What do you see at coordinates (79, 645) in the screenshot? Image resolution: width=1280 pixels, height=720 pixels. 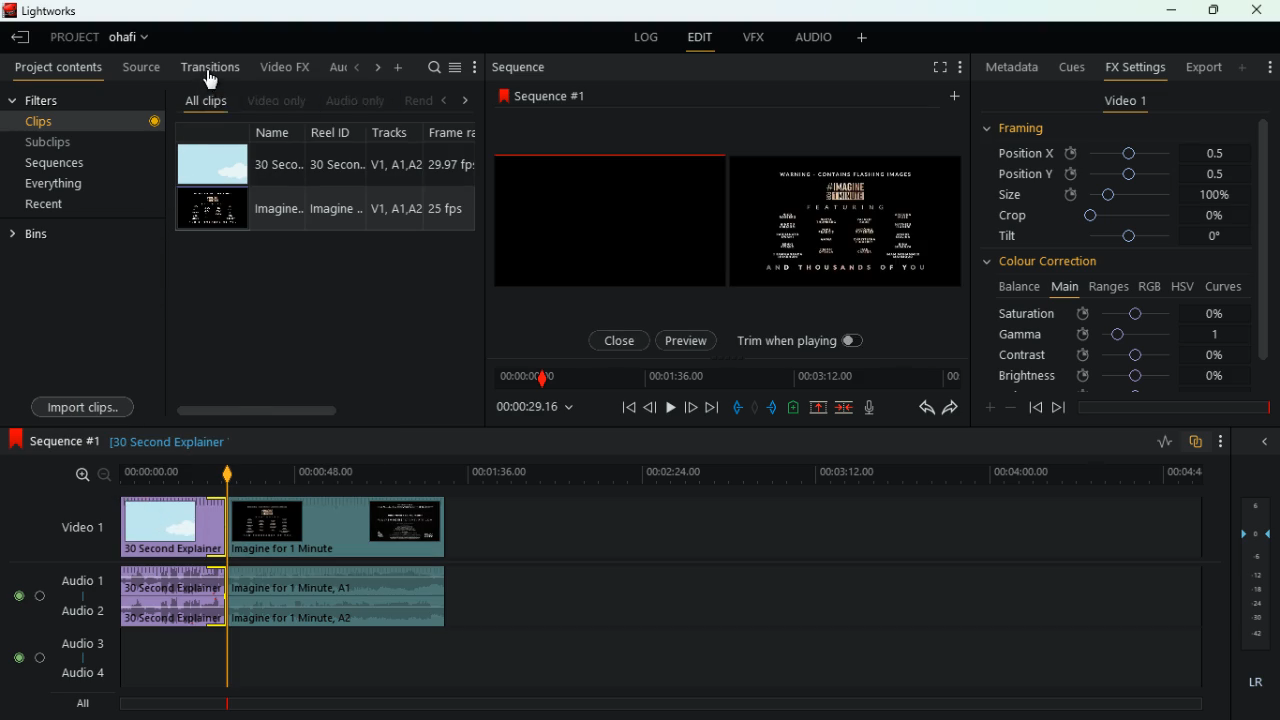 I see `audio 3` at bounding box center [79, 645].